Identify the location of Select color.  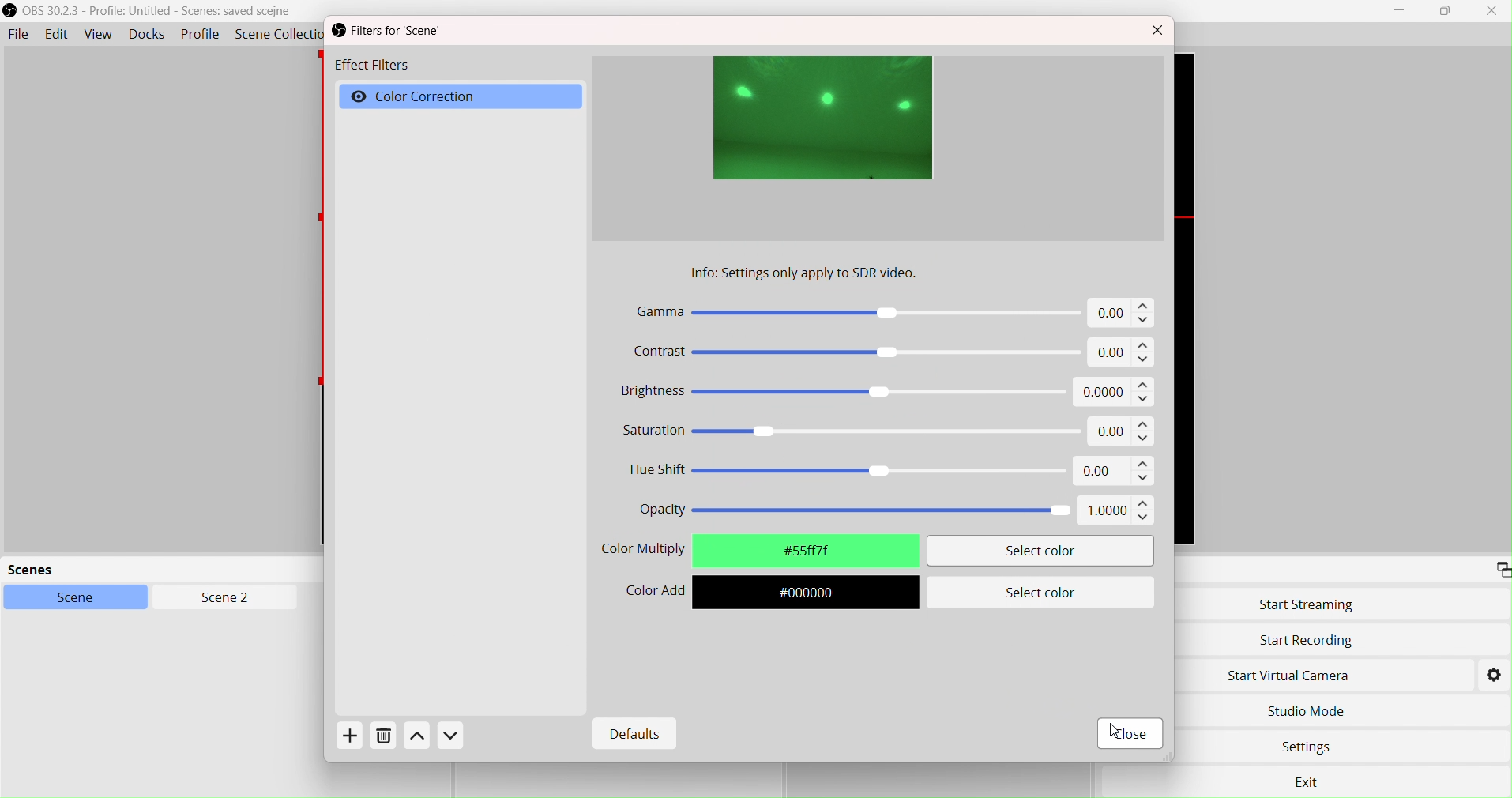
(1048, 549).